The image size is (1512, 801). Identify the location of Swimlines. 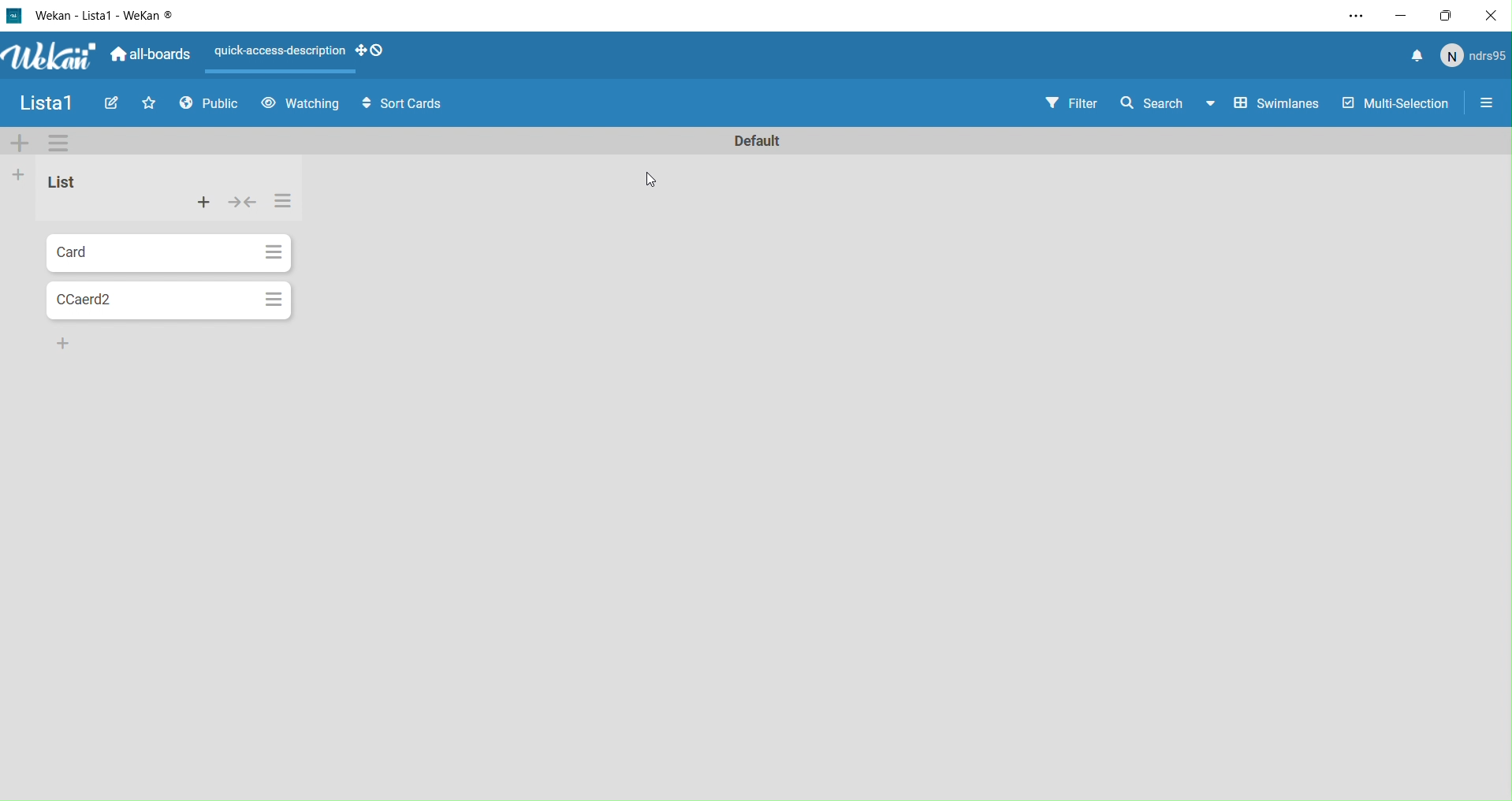
(1272, 103).